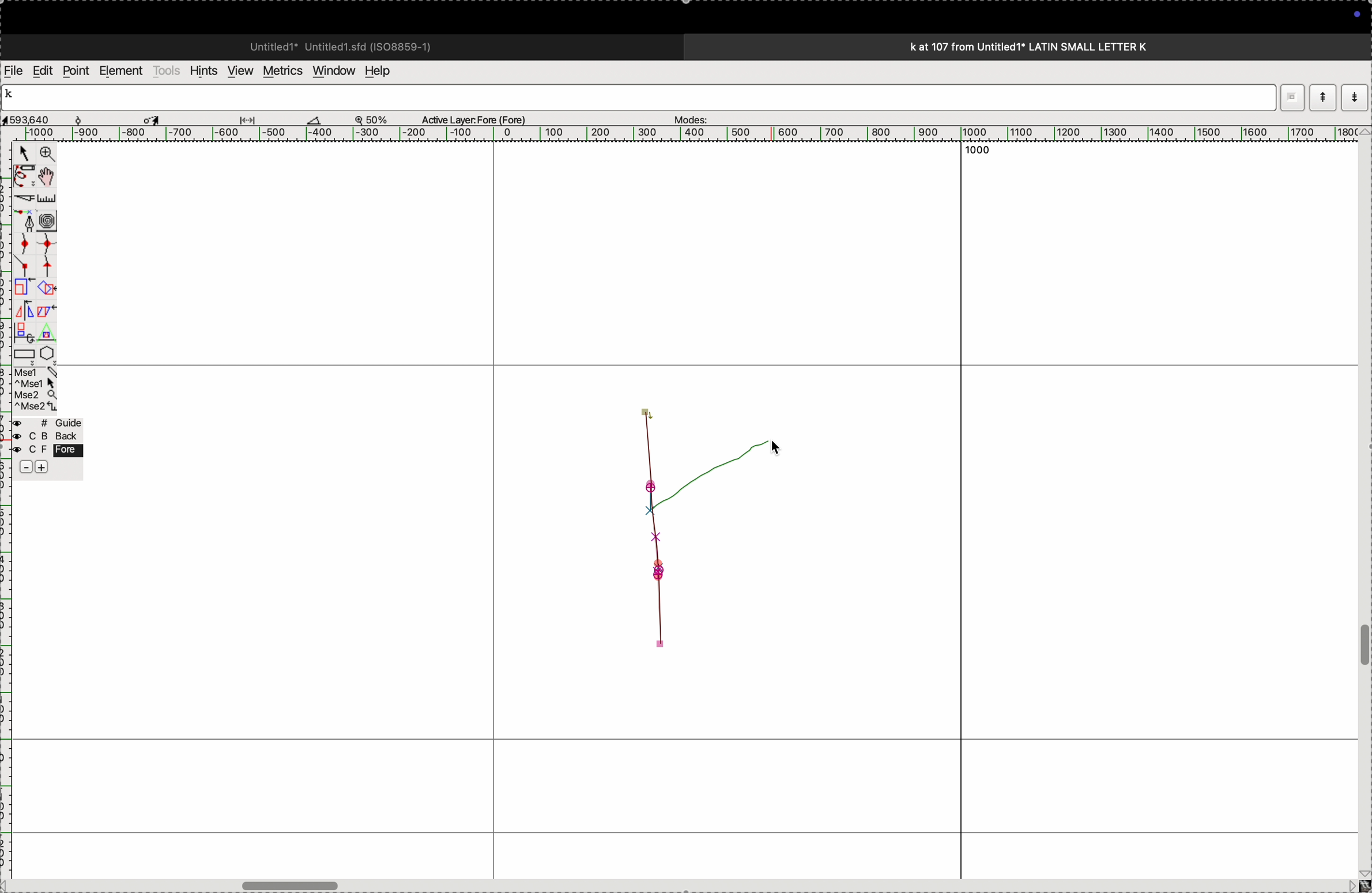 The width and height of the screenshot is (1372, 893). Describe the element at coordinates (48, 287) in the screenshot. I see `fill` at that location.